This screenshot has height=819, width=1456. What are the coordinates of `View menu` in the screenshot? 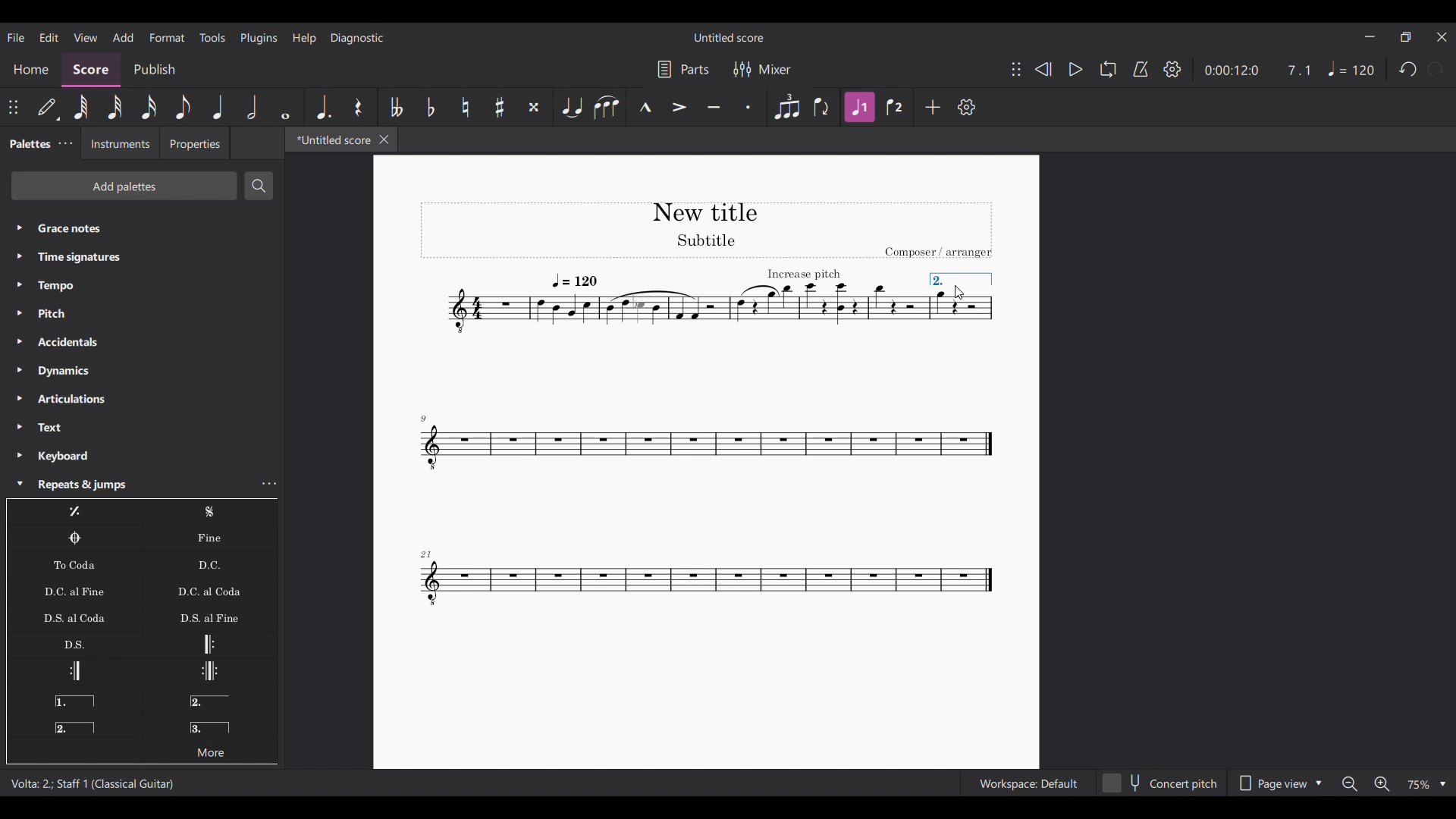 It's located at (86, 37).